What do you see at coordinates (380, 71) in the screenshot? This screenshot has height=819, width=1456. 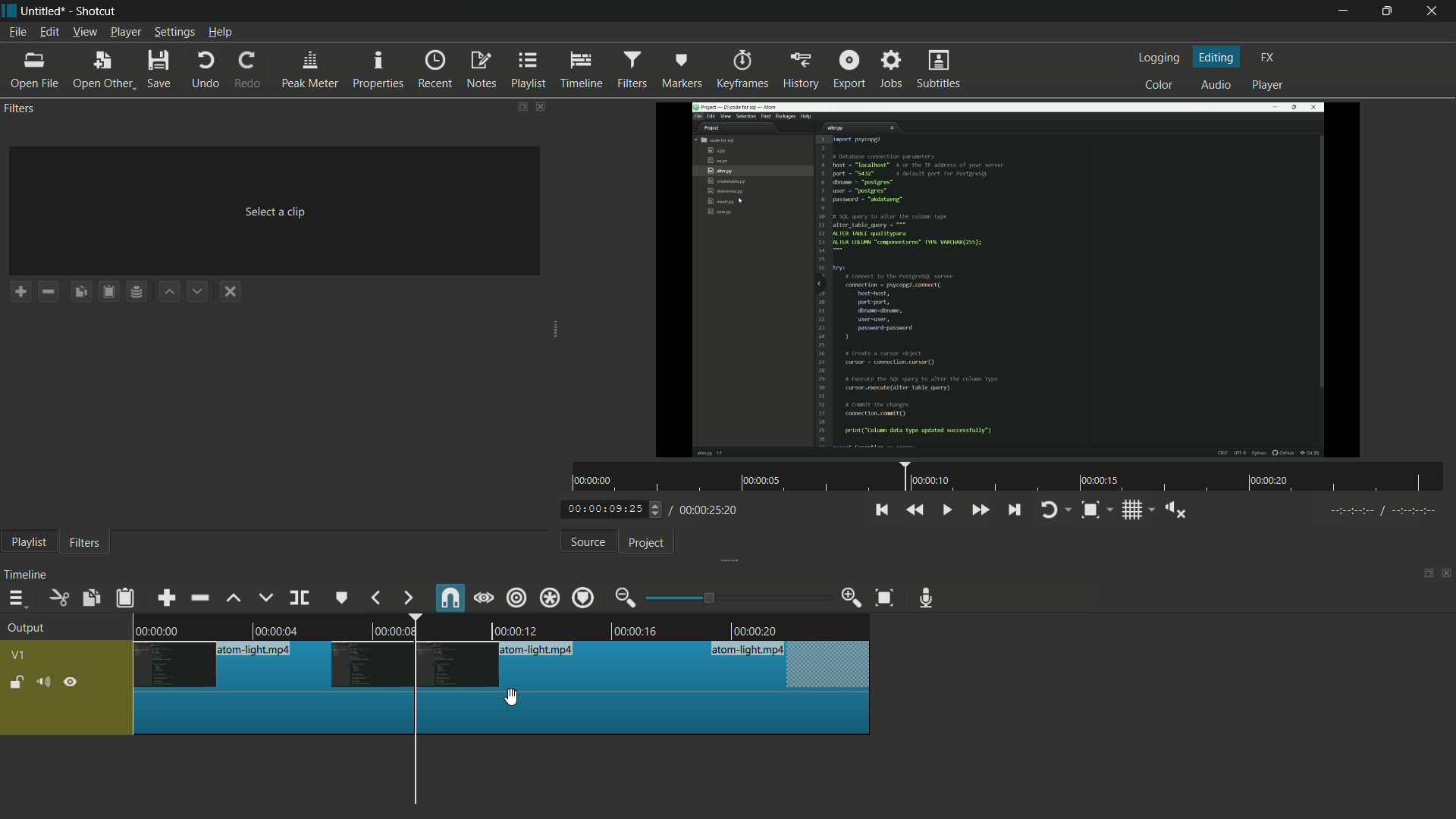 I see `properties` at bounding box center [380, 71].